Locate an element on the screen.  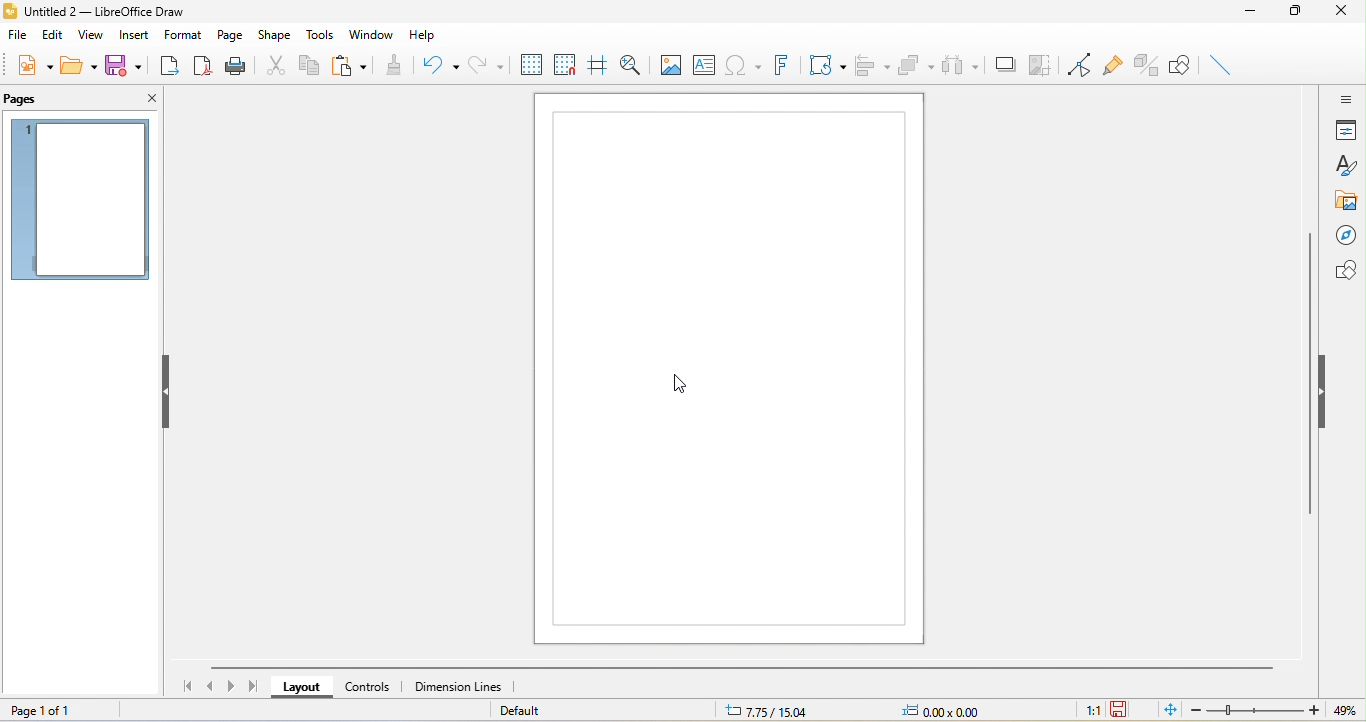
display grid is located at coordinates (532, 64).